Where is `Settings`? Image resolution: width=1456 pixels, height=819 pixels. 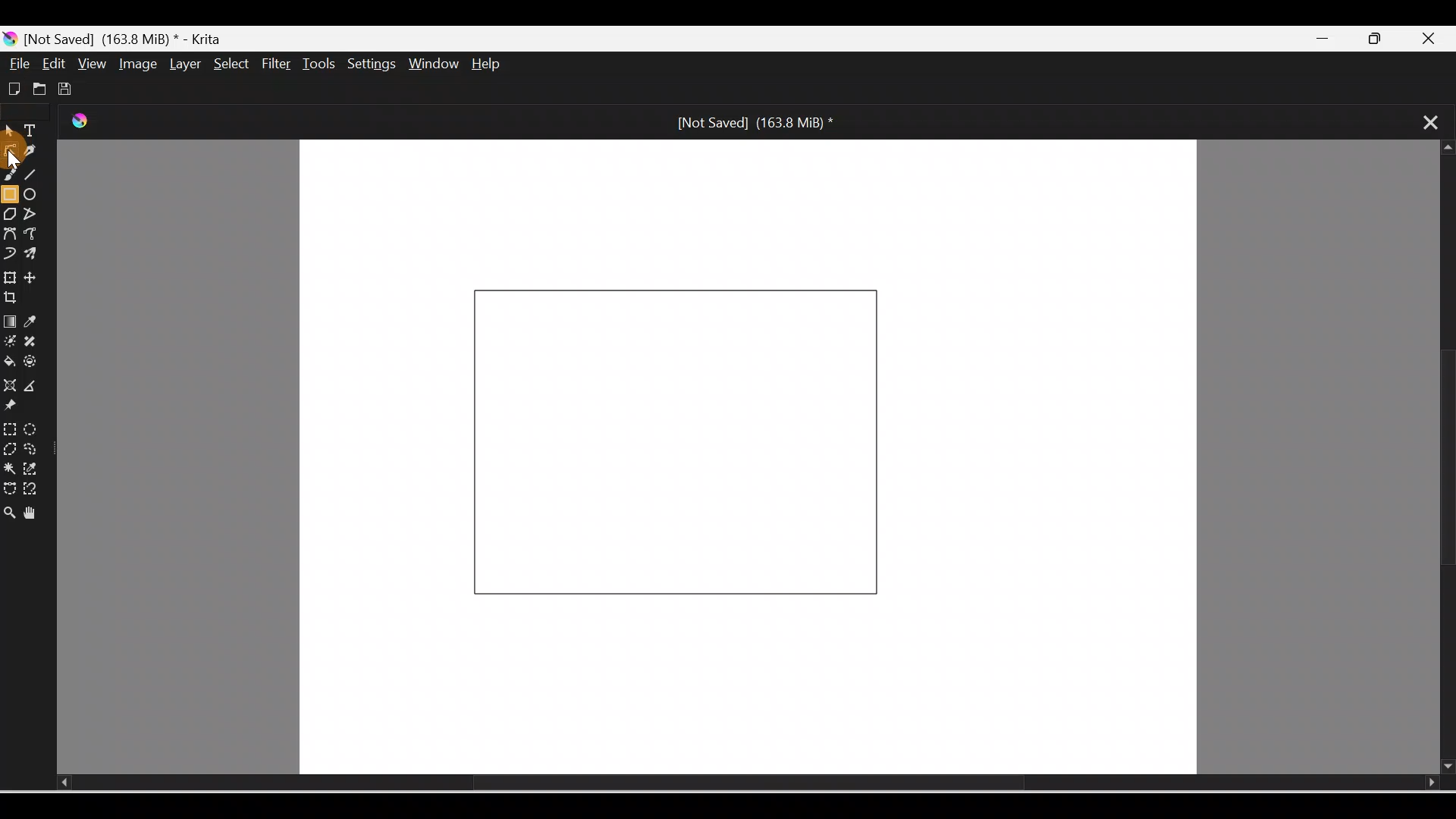 Settings is located at coordinates (373, 65).